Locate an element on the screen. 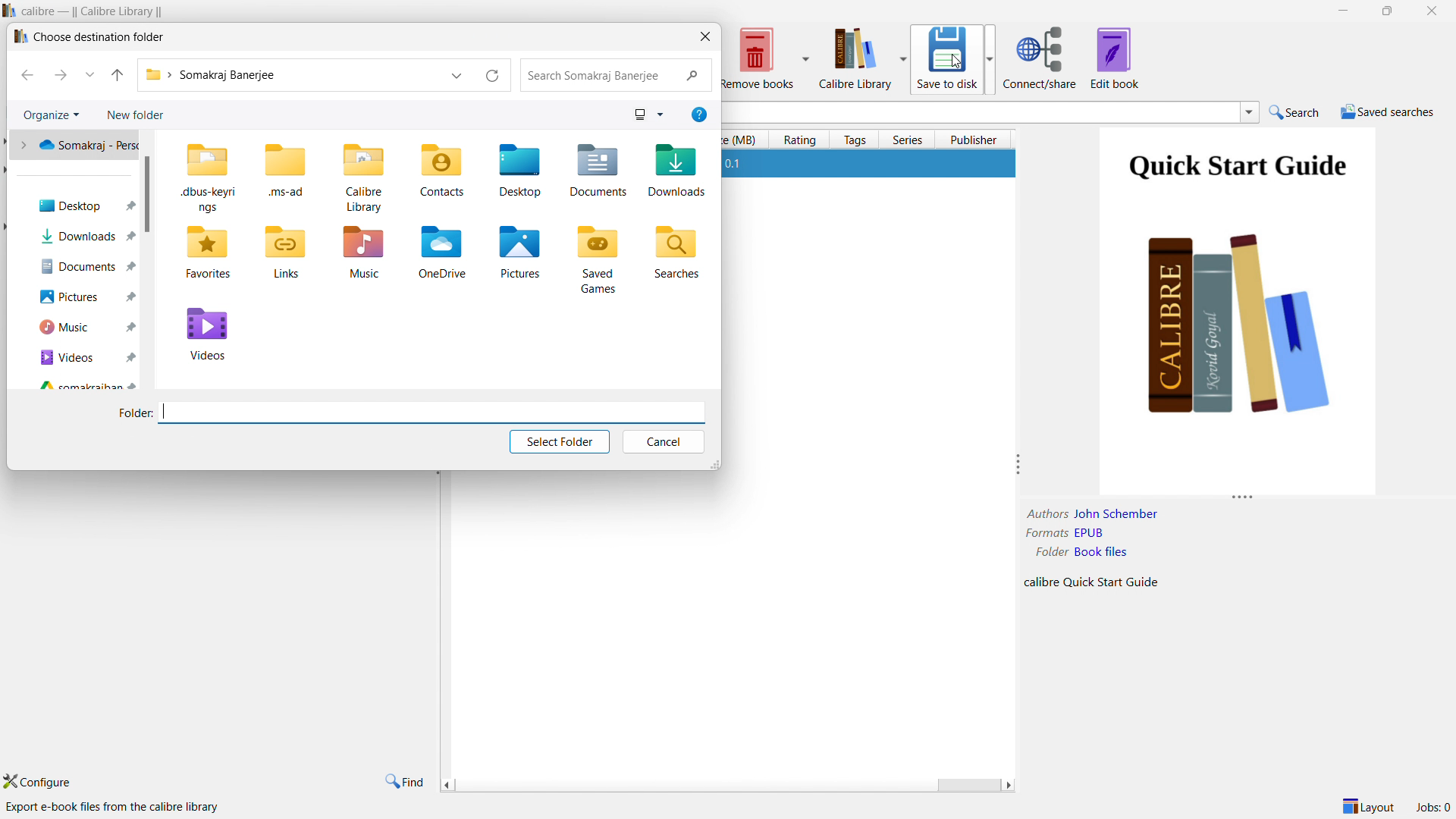 The image size is (1456, 819). calibre — || Calibre Library || is located at coordinates (99, 11).